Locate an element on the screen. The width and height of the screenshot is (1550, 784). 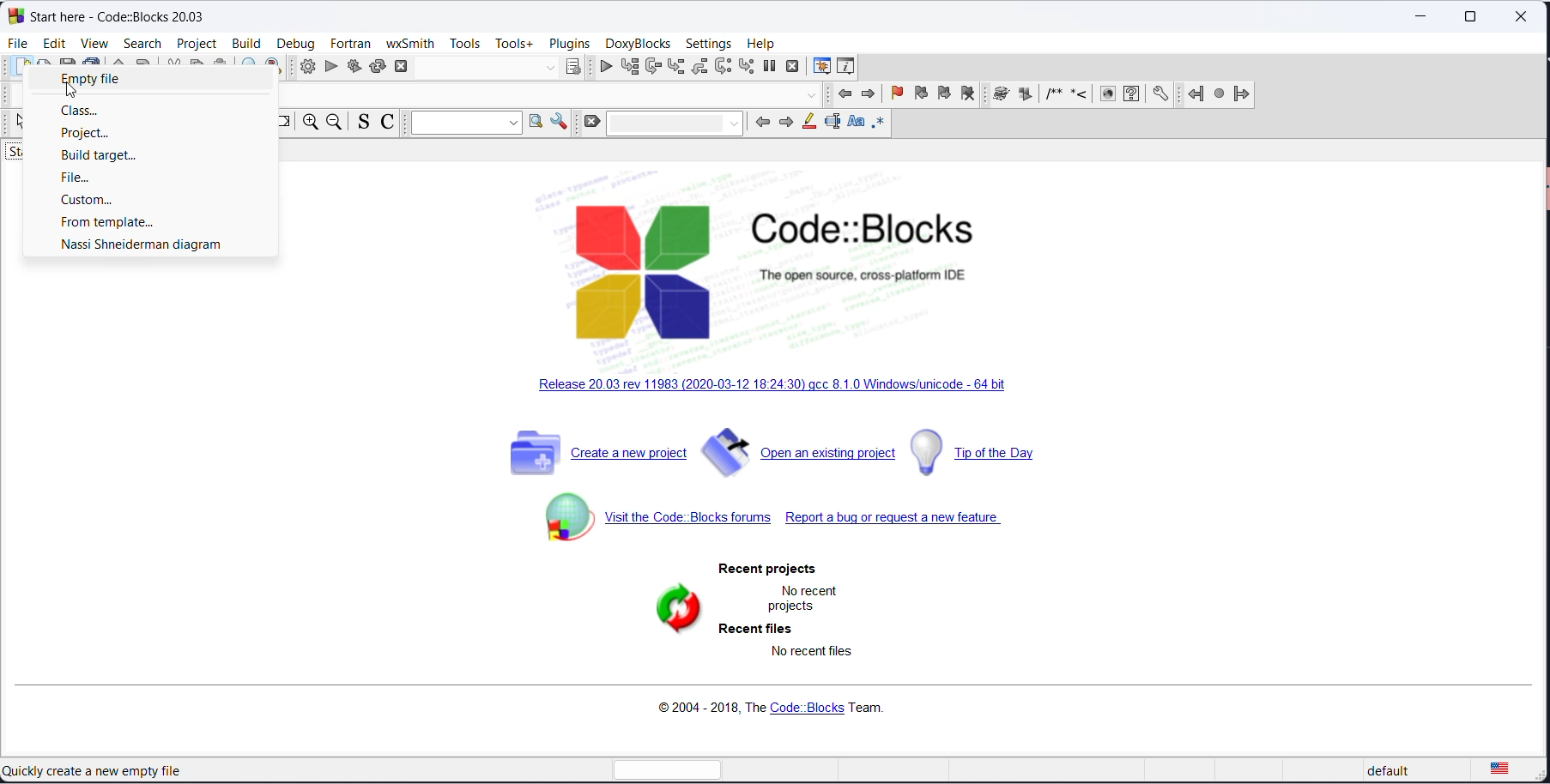
HTML is located at coordinates (1106, 96).